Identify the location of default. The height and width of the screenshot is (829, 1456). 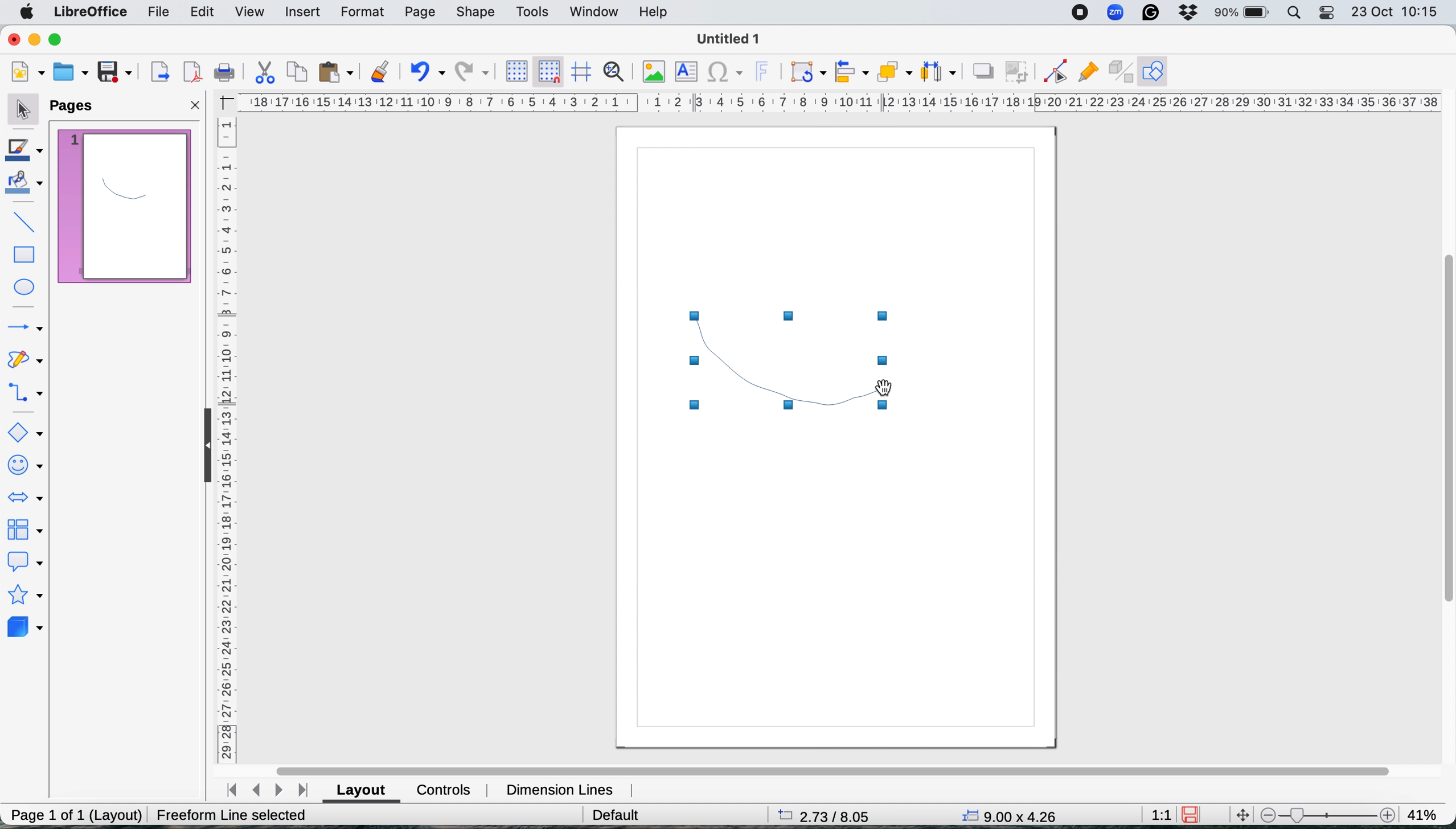
(616, 814).